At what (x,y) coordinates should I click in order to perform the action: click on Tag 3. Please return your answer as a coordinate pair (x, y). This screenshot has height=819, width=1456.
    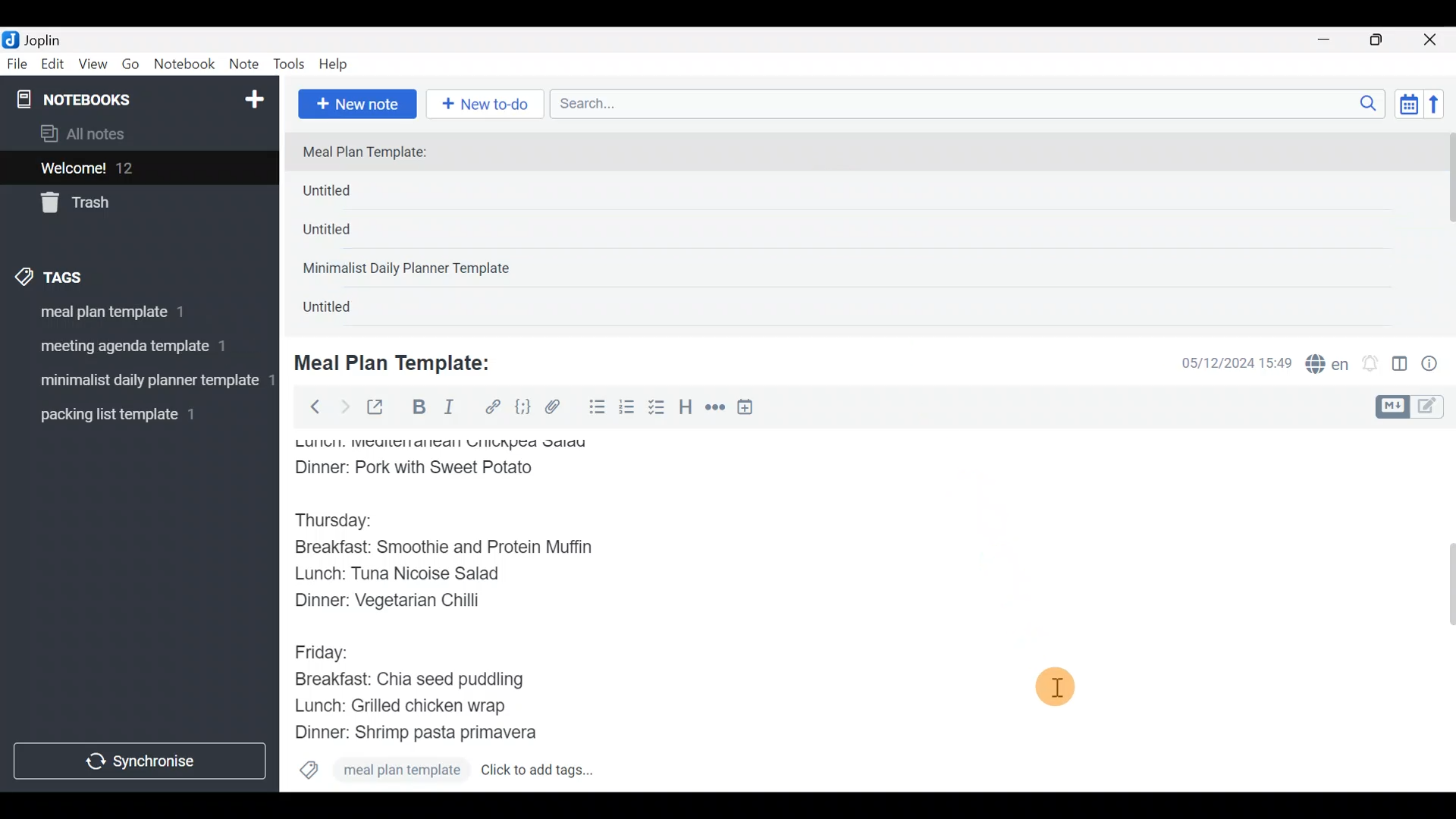
    Looking at the image, I should click on (138, 378).